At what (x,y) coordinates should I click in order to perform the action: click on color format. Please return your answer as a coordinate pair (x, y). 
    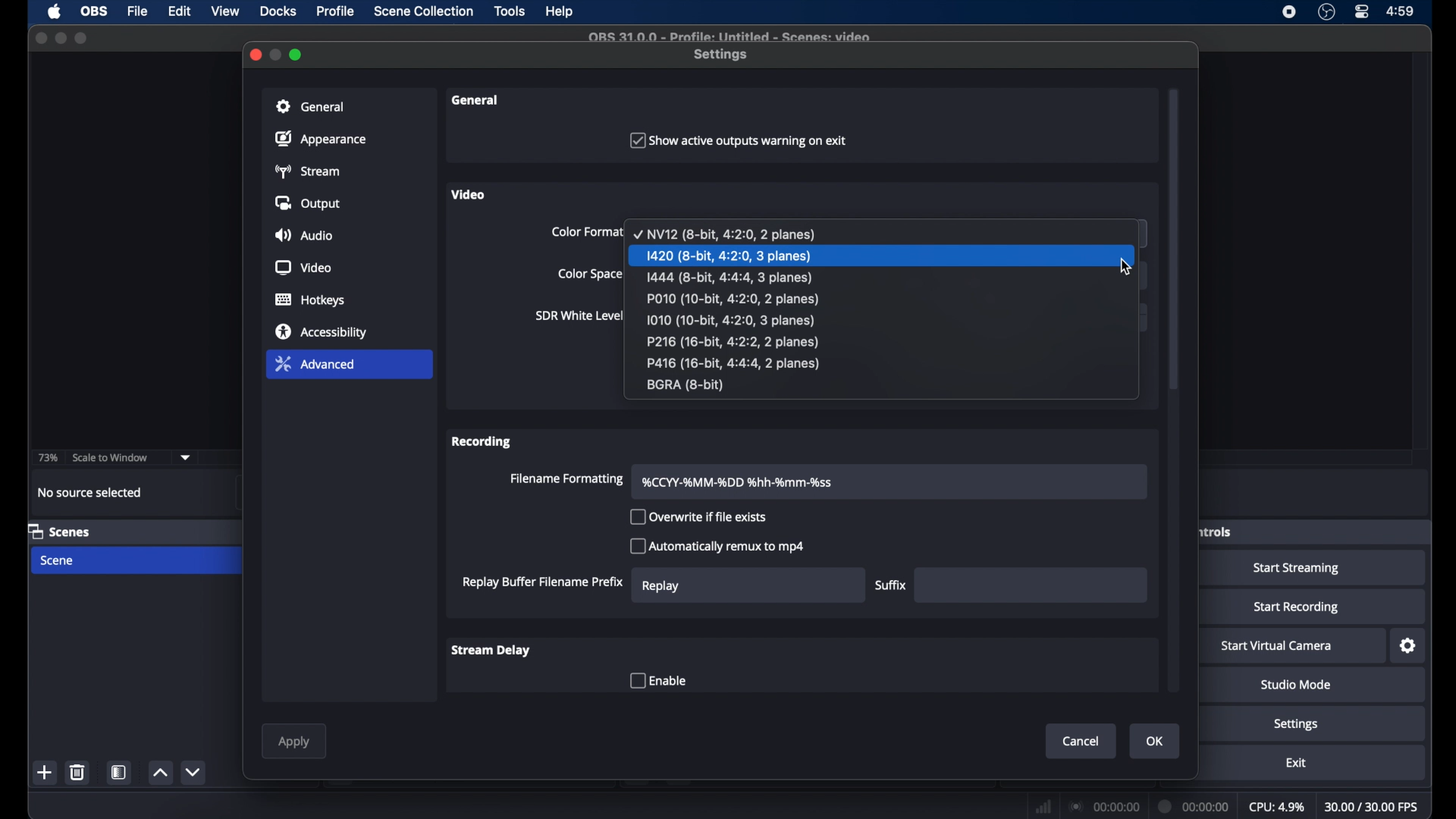
    Looking at the image, I should click on (586, 232).